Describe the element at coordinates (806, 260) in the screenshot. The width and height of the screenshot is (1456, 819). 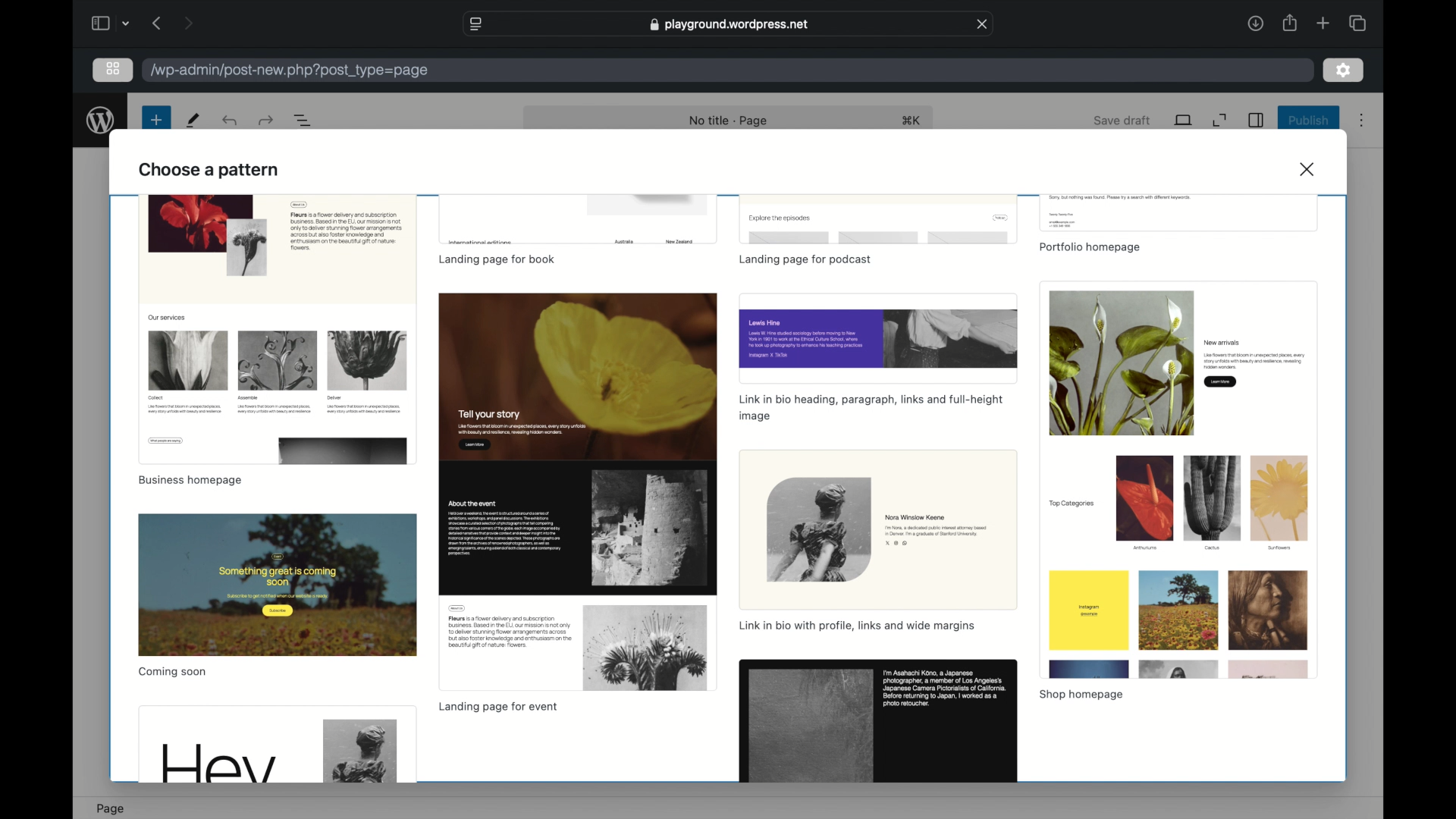
I see `template name` at that location.